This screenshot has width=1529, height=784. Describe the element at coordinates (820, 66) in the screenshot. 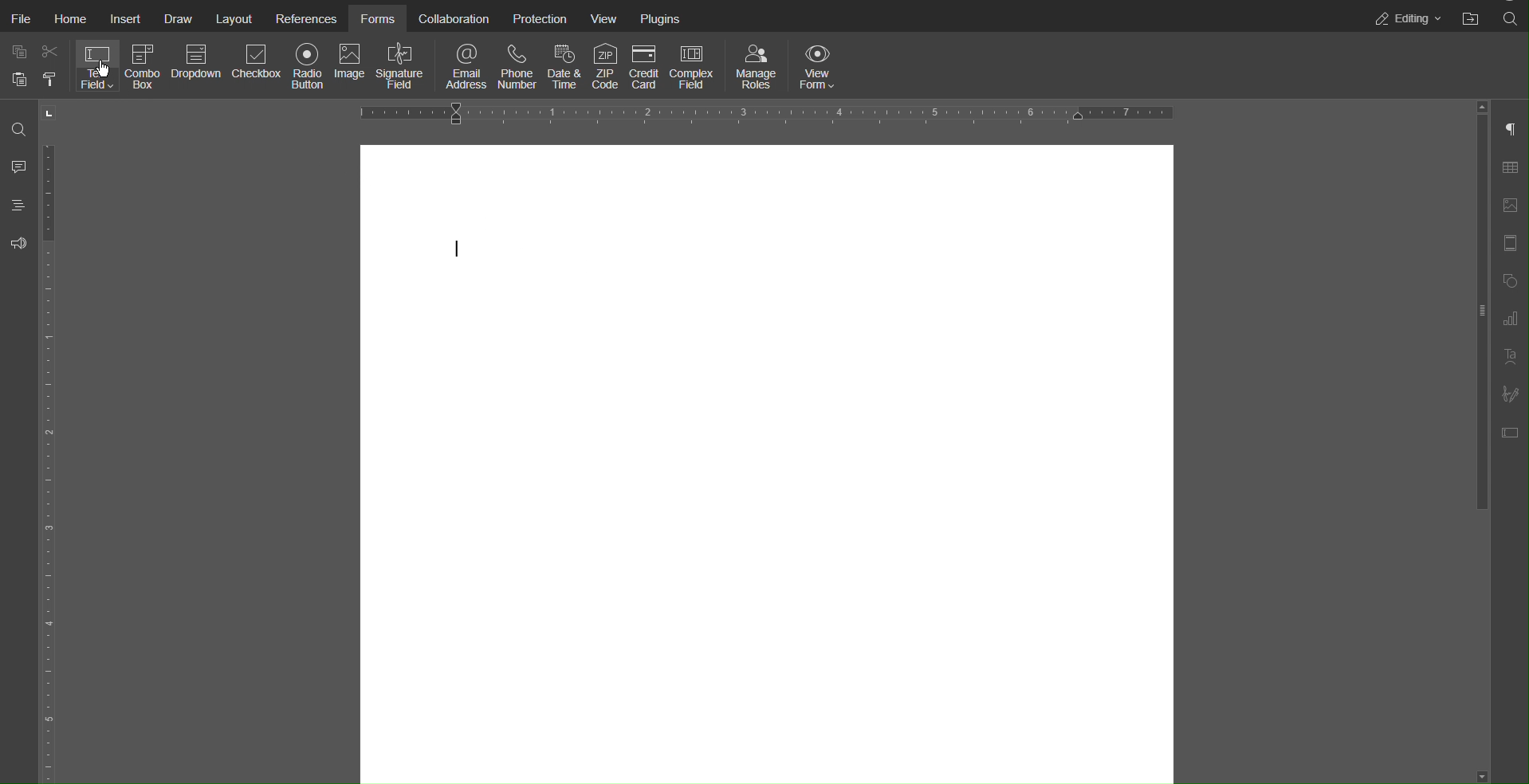

I see `View Form` at that location.